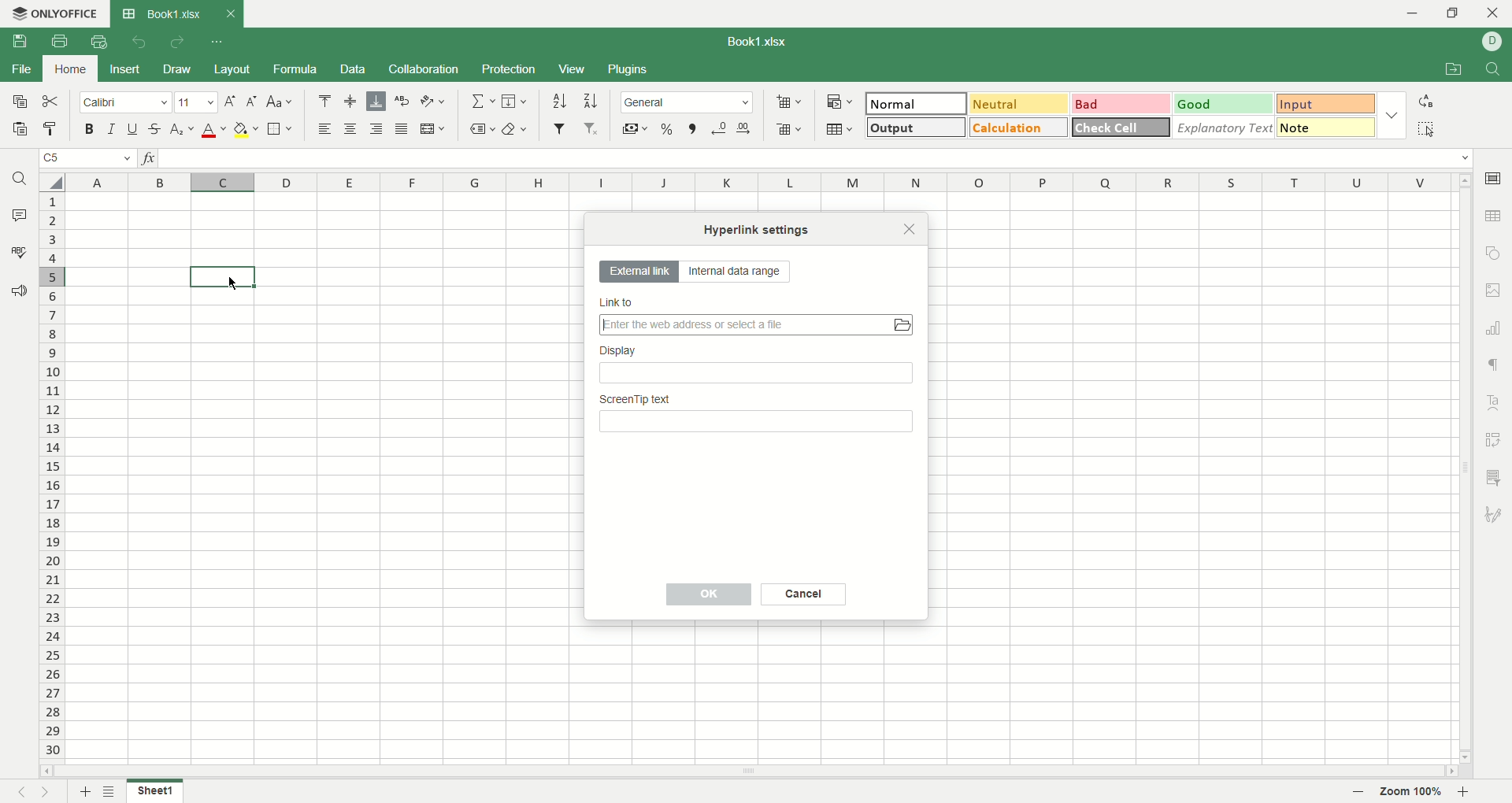 The height and width of the screenshot is (803, 1512). What do you see at coordinates (1119, 104) in the screenshot?
I see `bad` at bounding box center [1119, 104].